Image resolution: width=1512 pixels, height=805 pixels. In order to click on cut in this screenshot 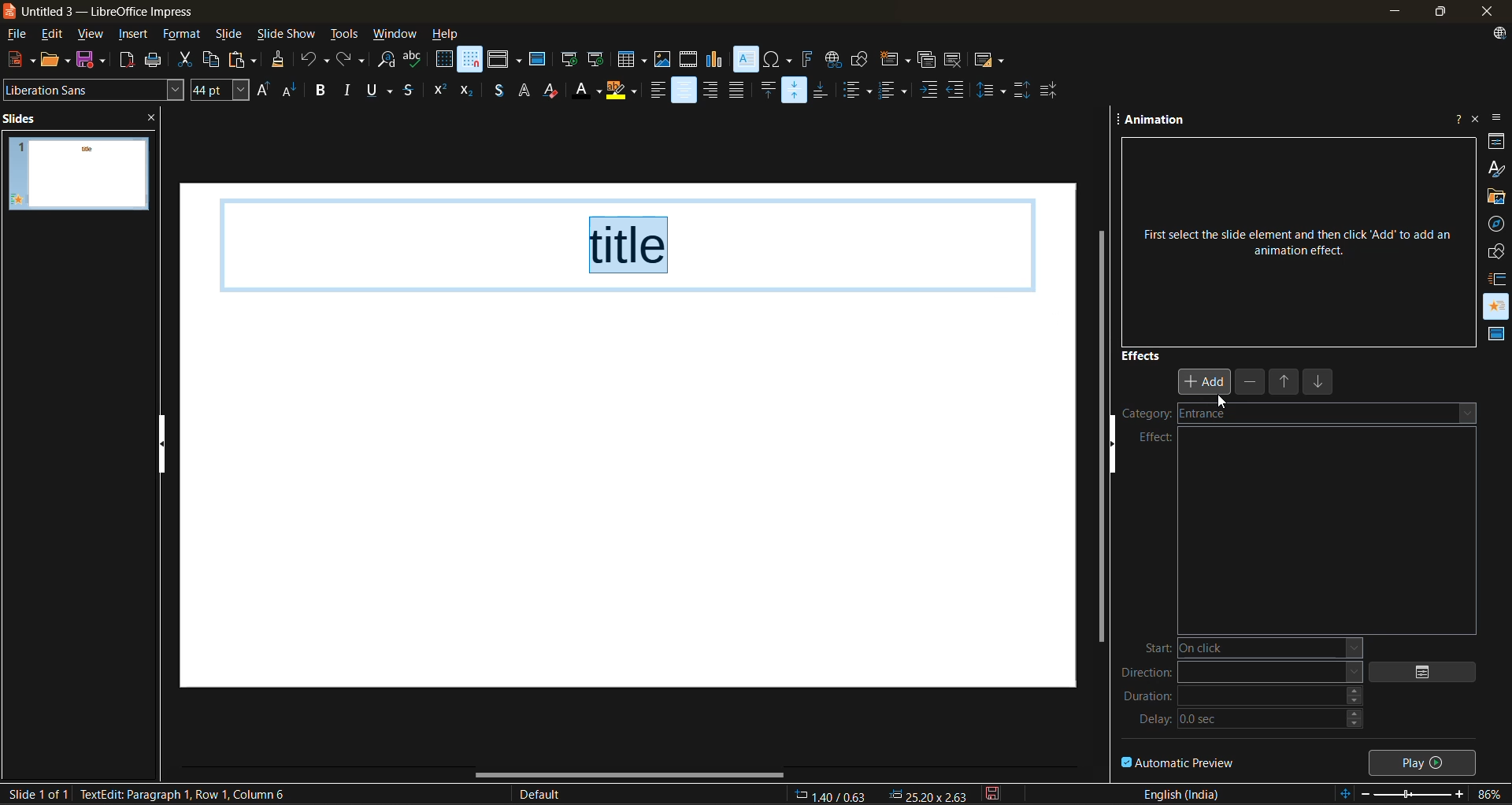, I will do `click(184, 61)`.